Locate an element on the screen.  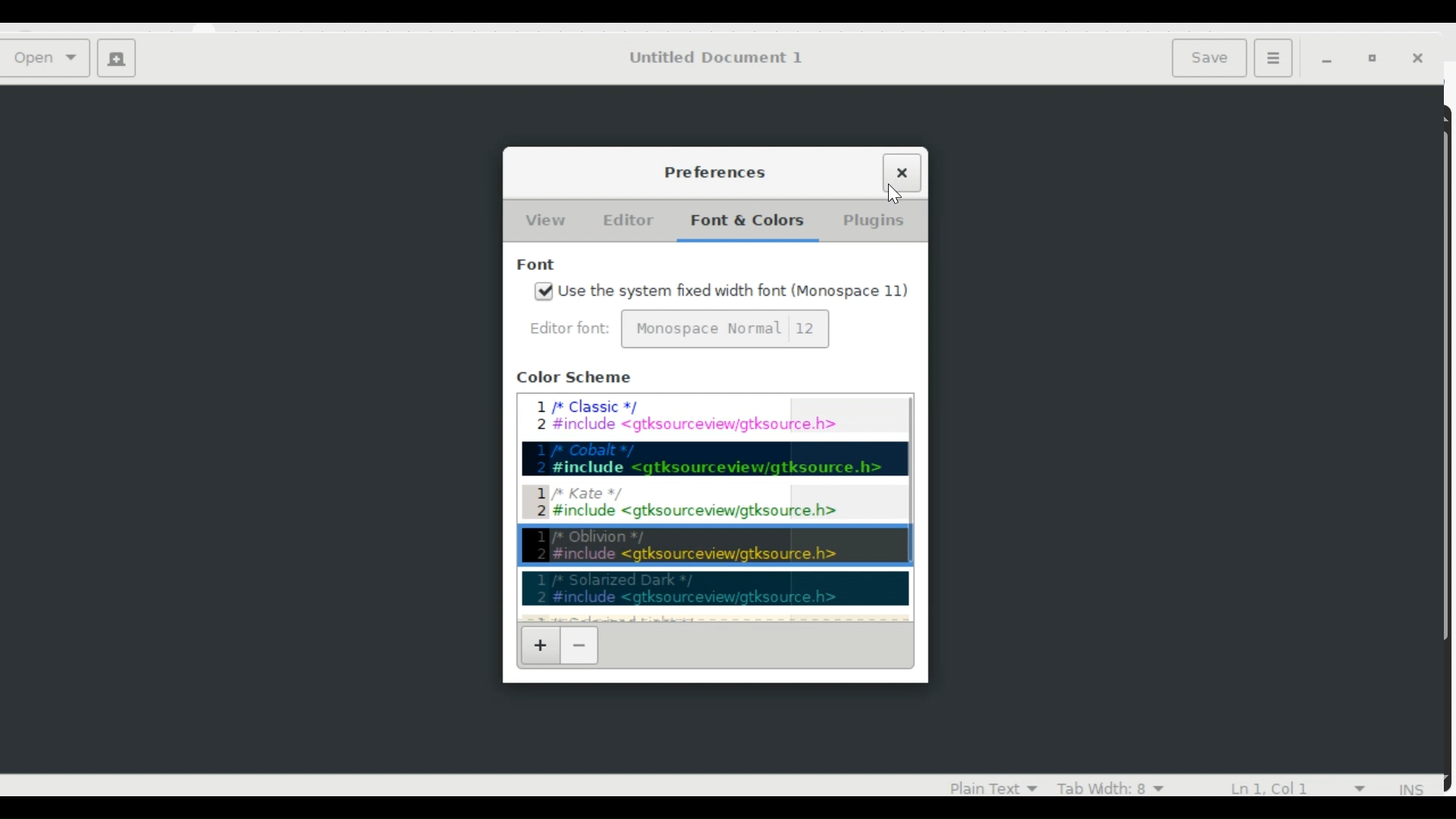
Tab Width is located at coordinates (1109, 786).